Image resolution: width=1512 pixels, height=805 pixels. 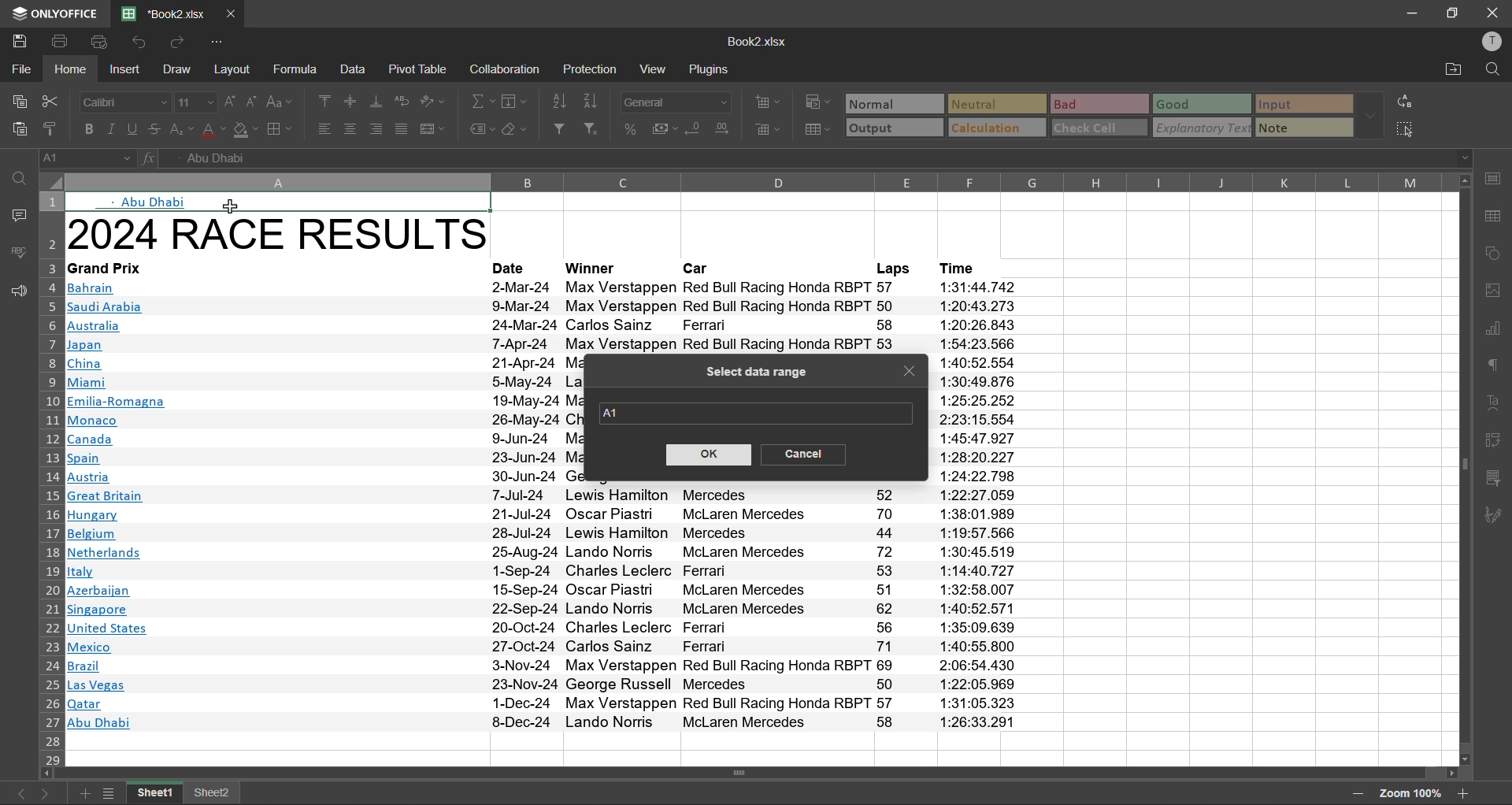 What do you see at coordinates (1457, 469) in the screenshot?
I see `Horizontal Scrollbar` at bounding box center [1457, 469].